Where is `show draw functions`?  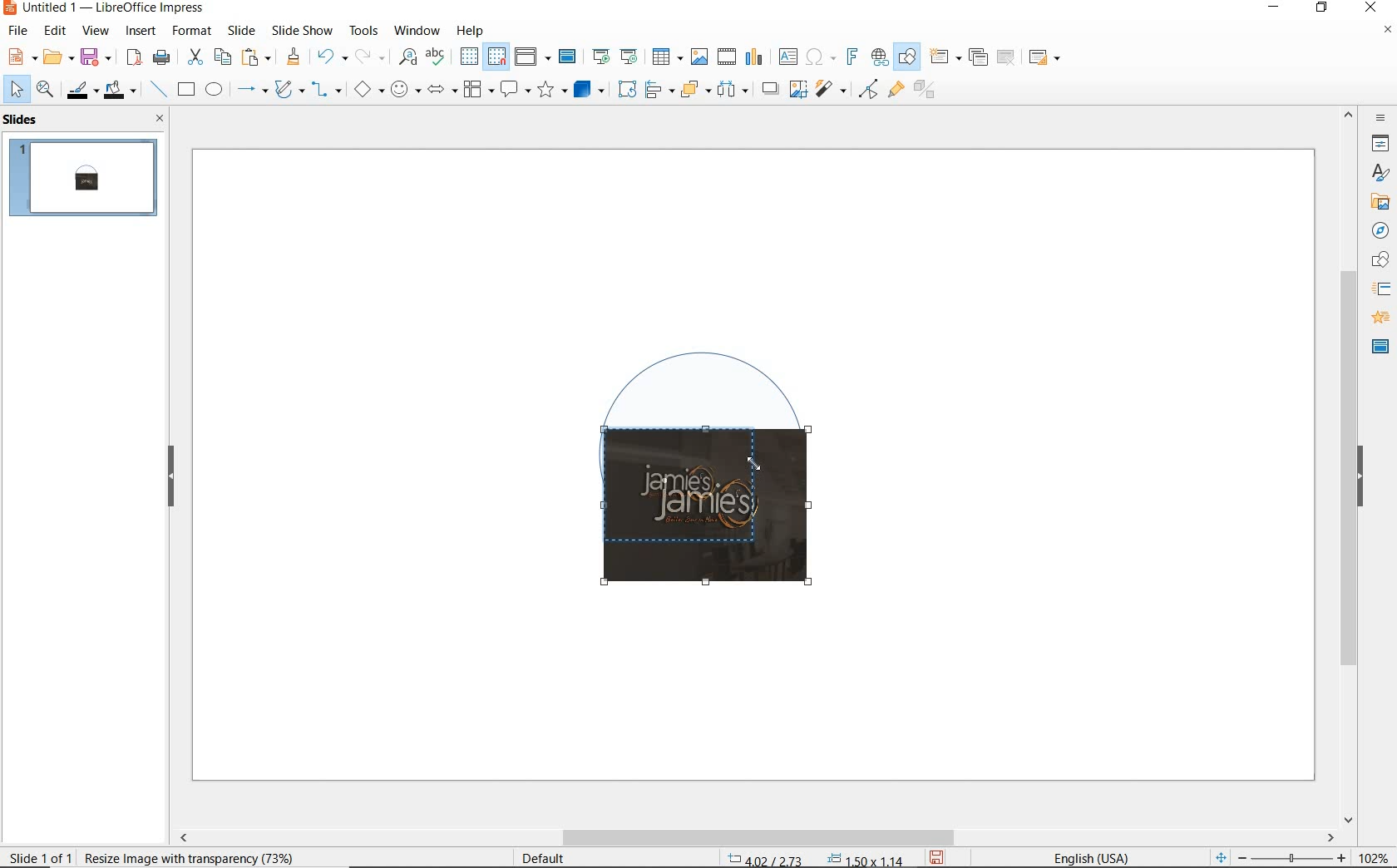
show draw functions is located at coordinates (907, 57).